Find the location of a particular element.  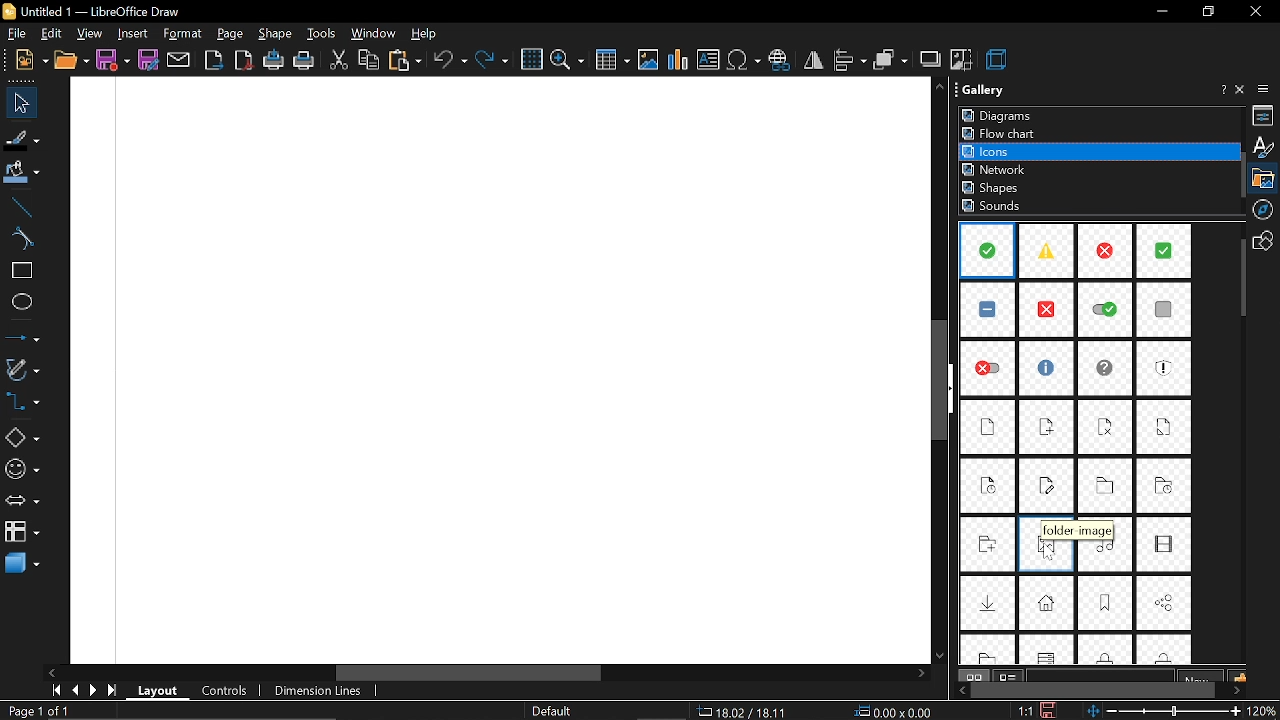

cursor is located at coordinates (1051, 552).